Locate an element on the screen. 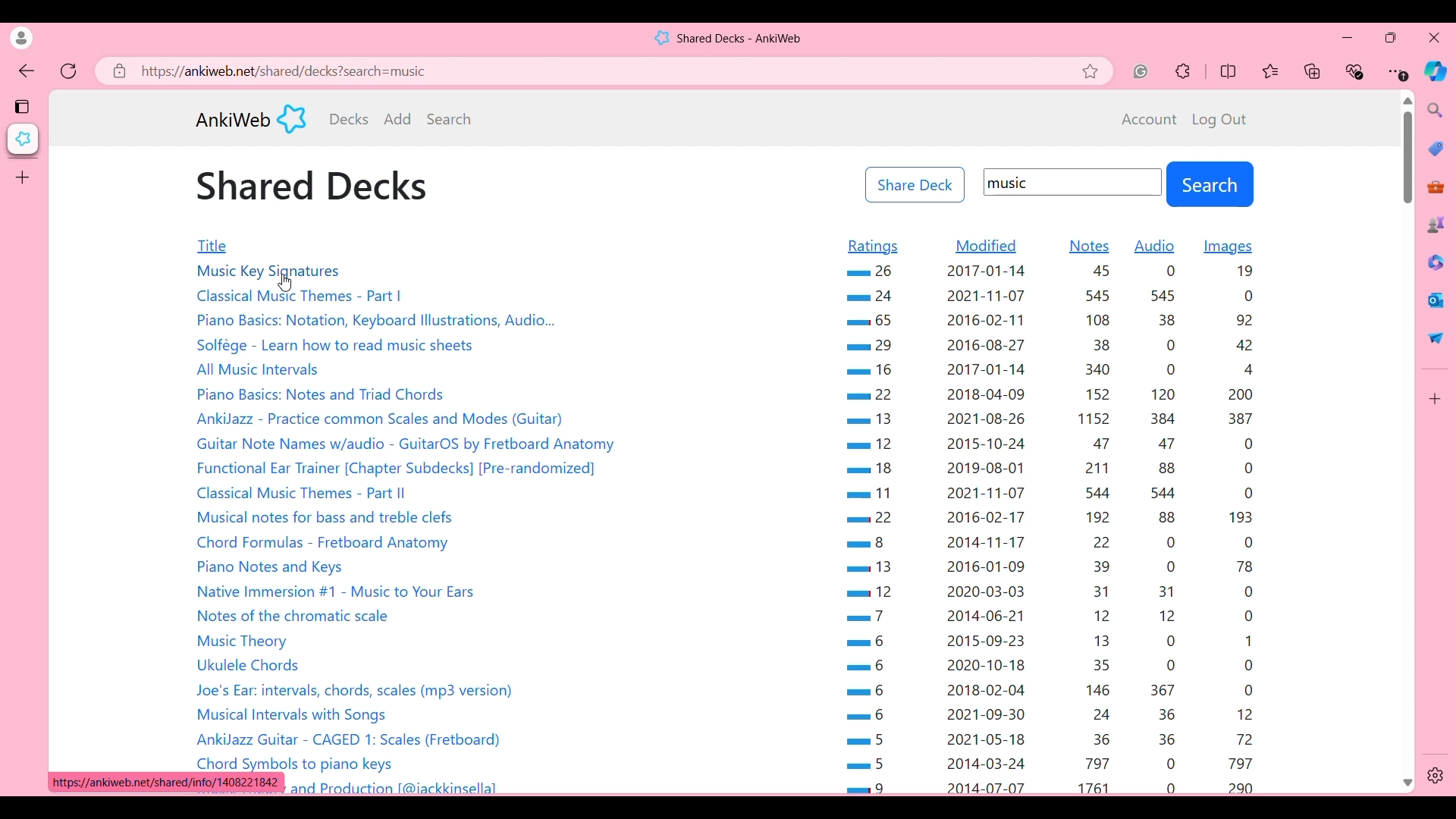 This screenshot has width=1456, height=819. Cursor is located at coordinates (288, 285).